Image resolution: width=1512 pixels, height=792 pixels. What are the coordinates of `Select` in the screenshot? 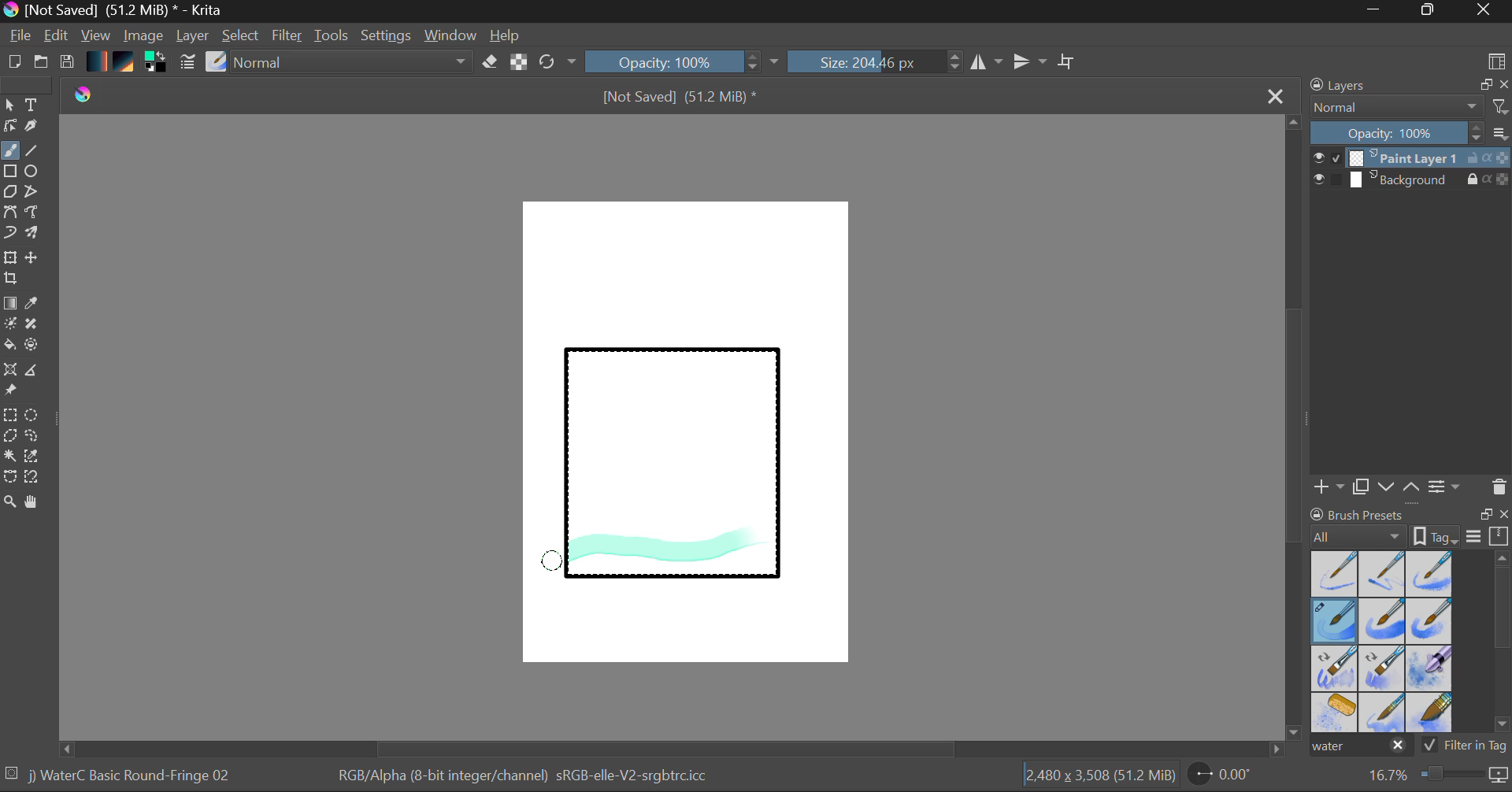 It's located at (242, 36).